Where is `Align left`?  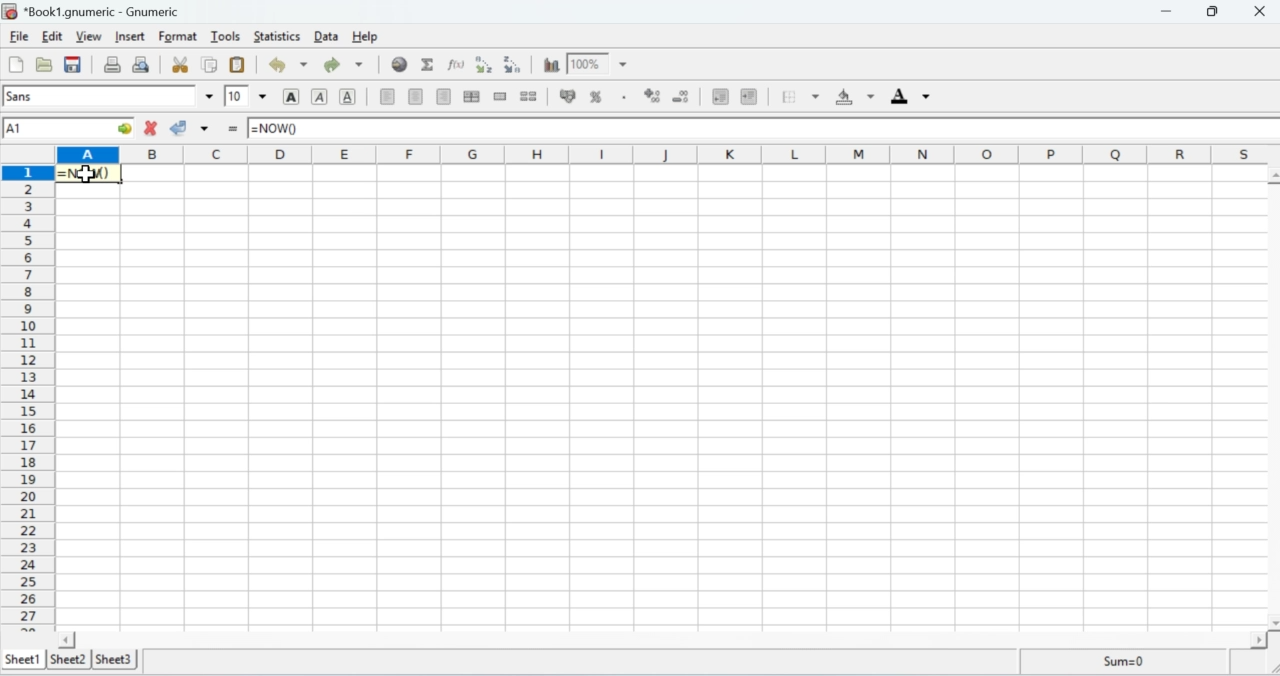
Align left is located at coordinates (384, 97).